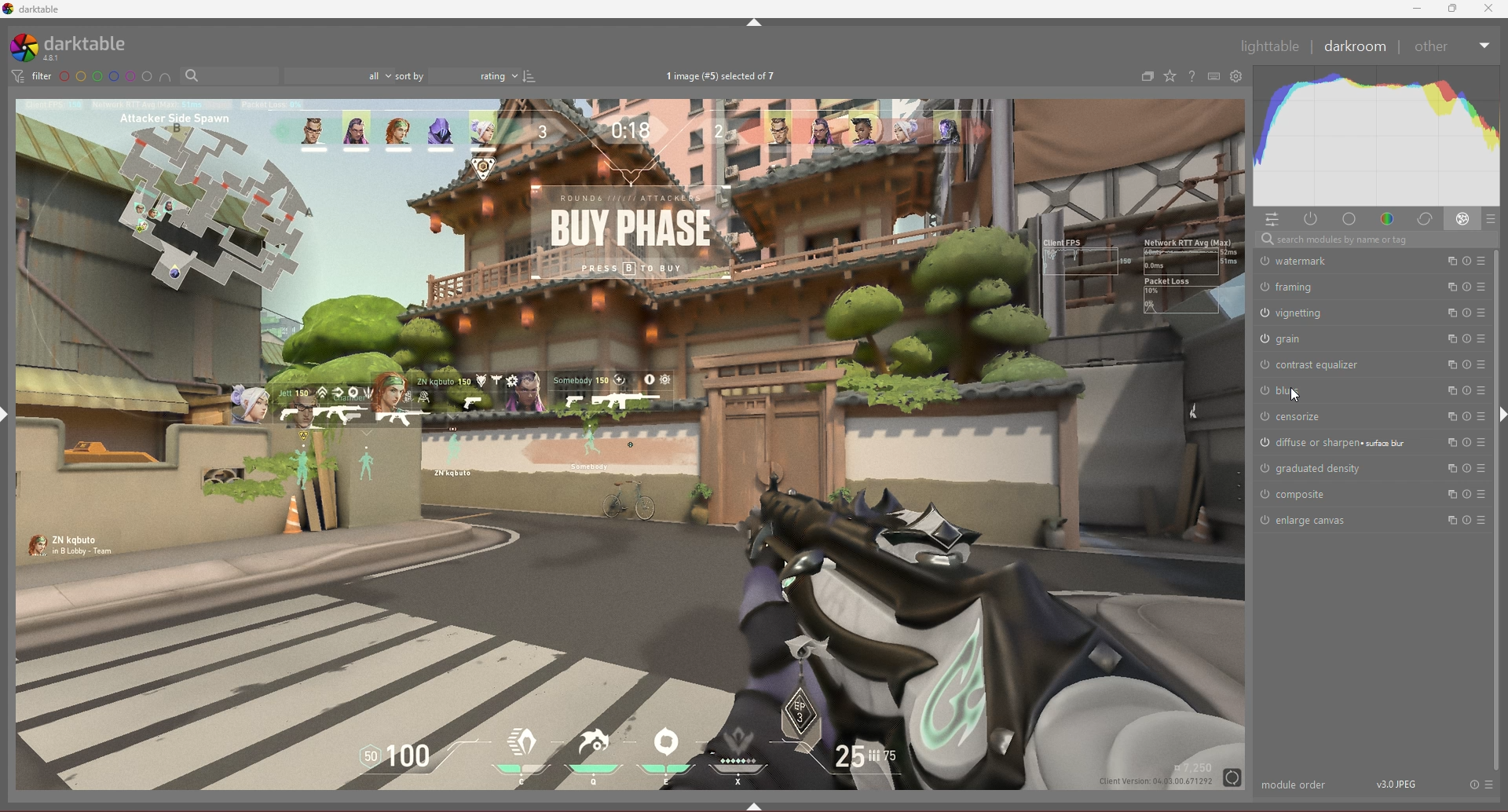 The image size is (1508, 812). Describe the element at coordinates (1491, 784) in the screenshot. I see `presets` at that location.